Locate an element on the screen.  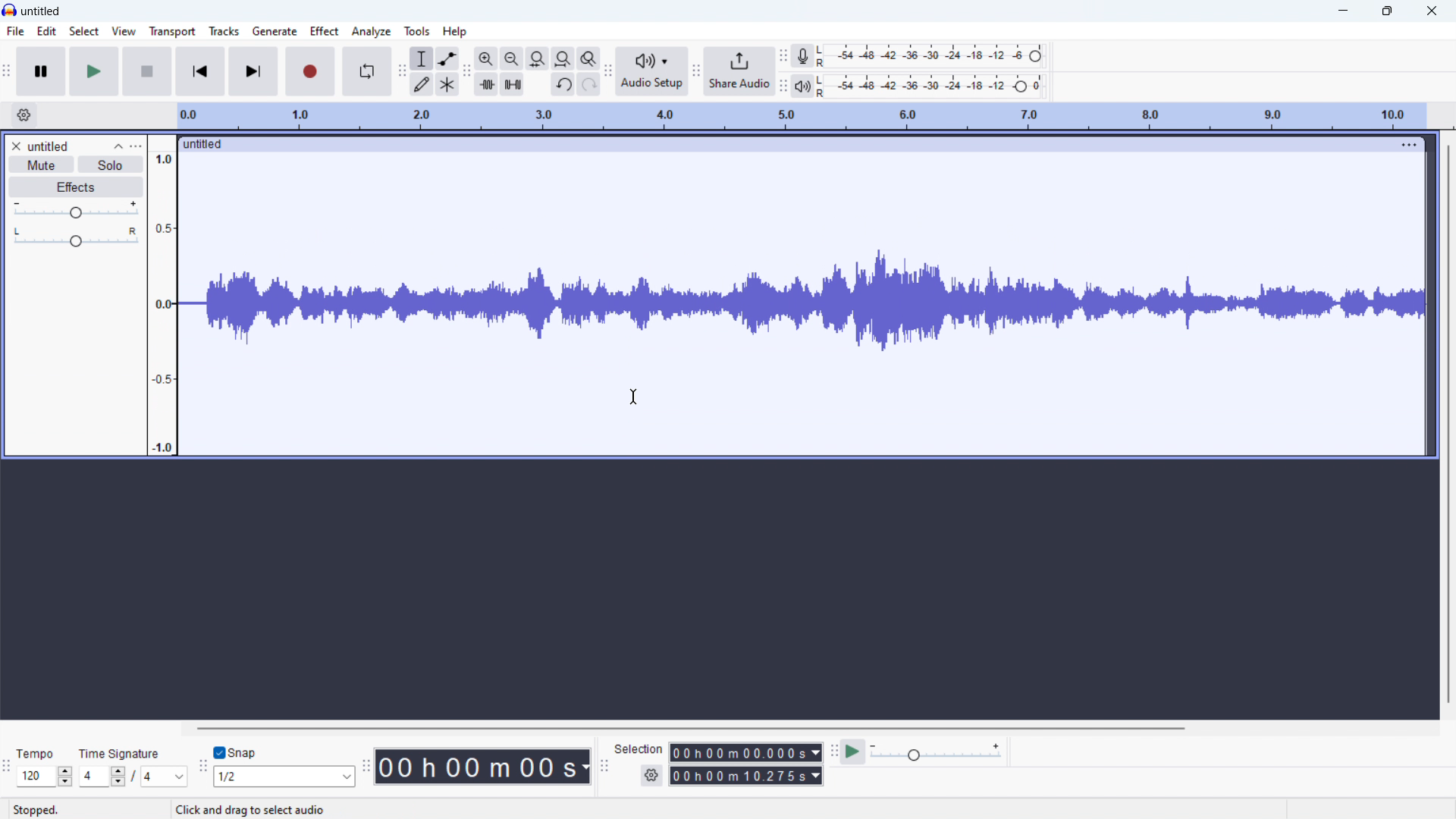
selection tool is located at coordinates (422, 58).